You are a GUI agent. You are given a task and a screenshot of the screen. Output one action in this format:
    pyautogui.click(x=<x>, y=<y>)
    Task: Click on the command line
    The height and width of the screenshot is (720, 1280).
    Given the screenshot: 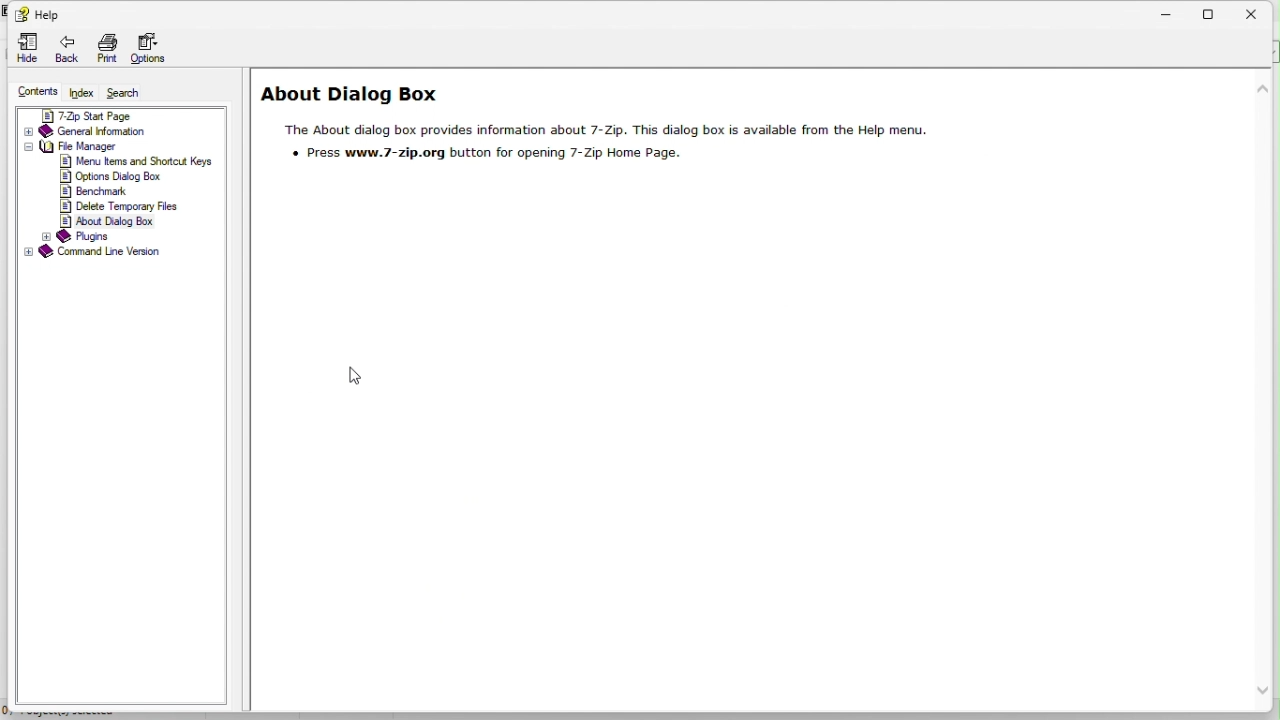 What is the action you would take?
    pyautogui.click(x=106, y=251)
    